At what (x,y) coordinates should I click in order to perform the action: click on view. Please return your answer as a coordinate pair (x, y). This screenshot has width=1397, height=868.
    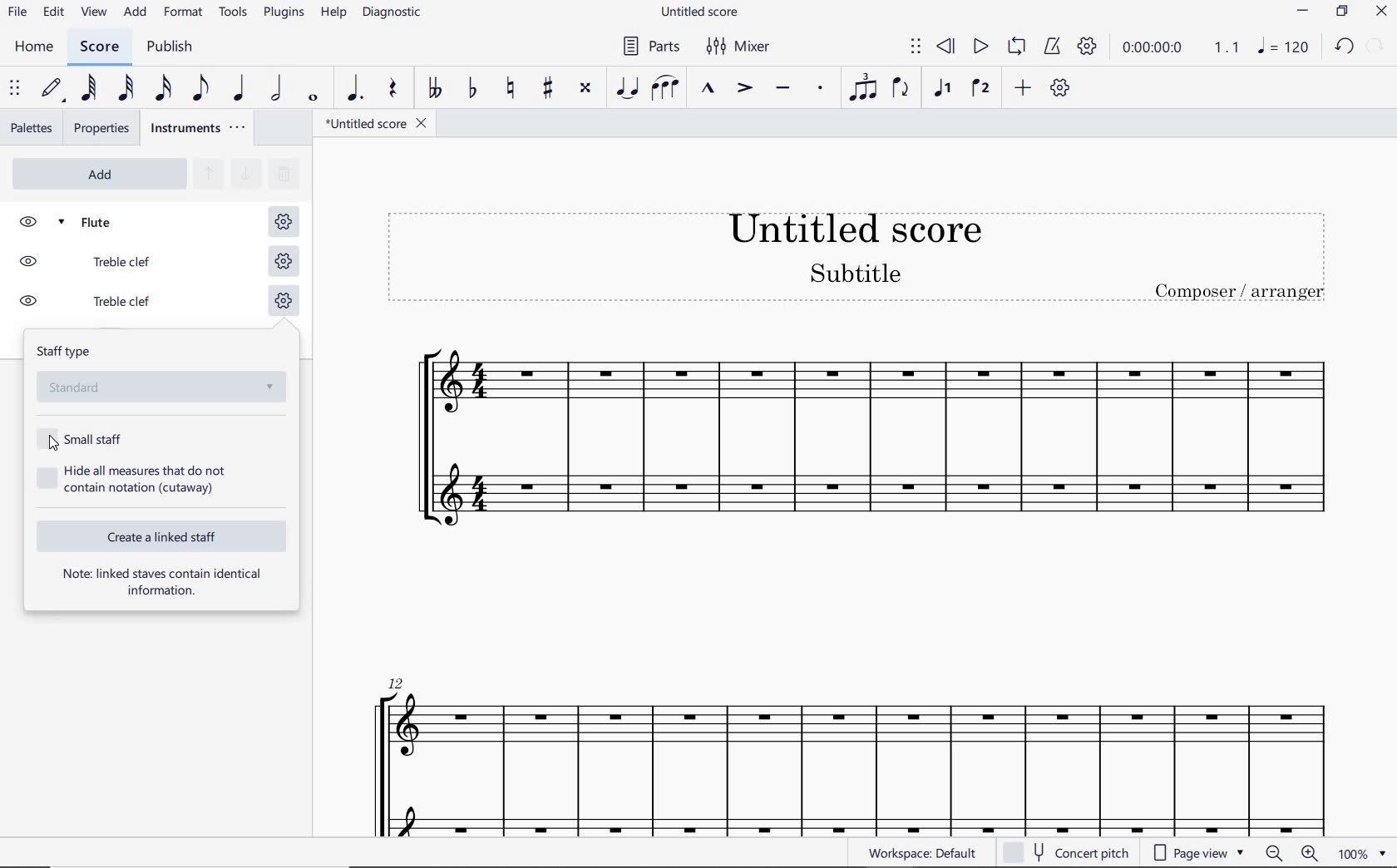
    Looking at the image, I should click on (96, 13).